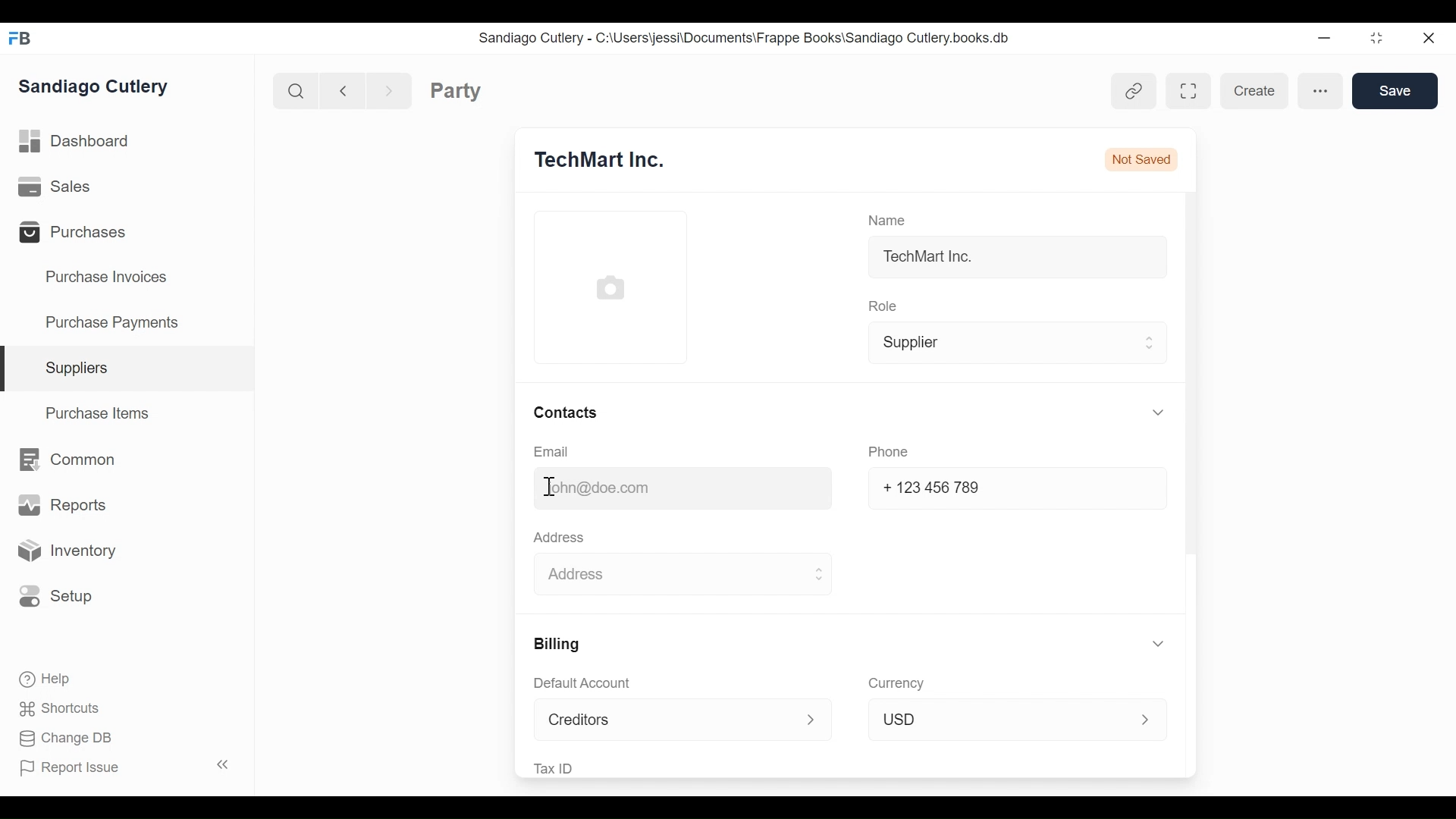  Describe the element at coordinates (63, 596) in the screenshot. I see `Setup` at that location.